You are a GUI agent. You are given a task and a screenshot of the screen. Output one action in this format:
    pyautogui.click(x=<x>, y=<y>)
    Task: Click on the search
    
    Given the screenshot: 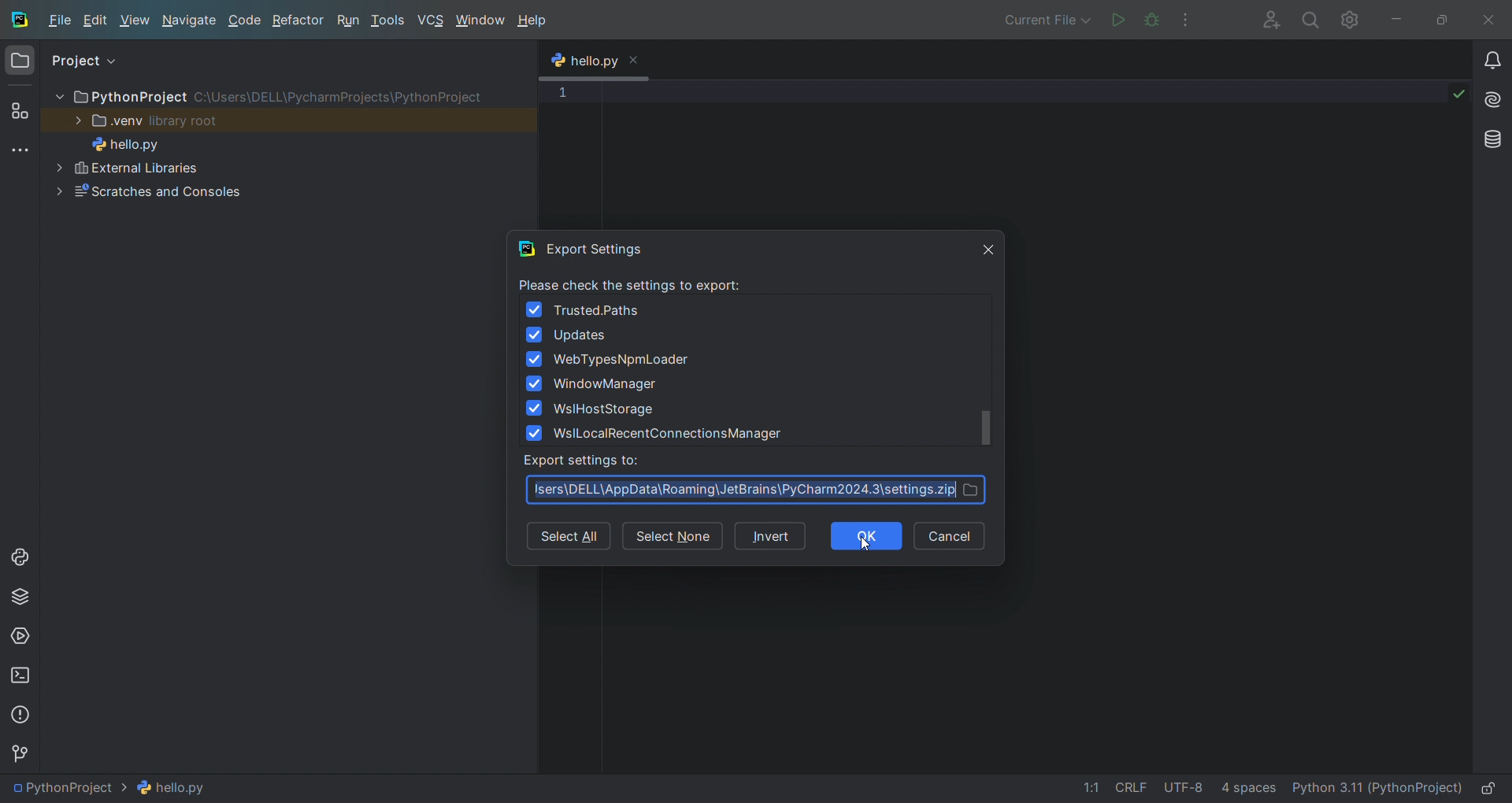 What is the action you would take?
    pyautogui.click(x=1309, y=19)
    